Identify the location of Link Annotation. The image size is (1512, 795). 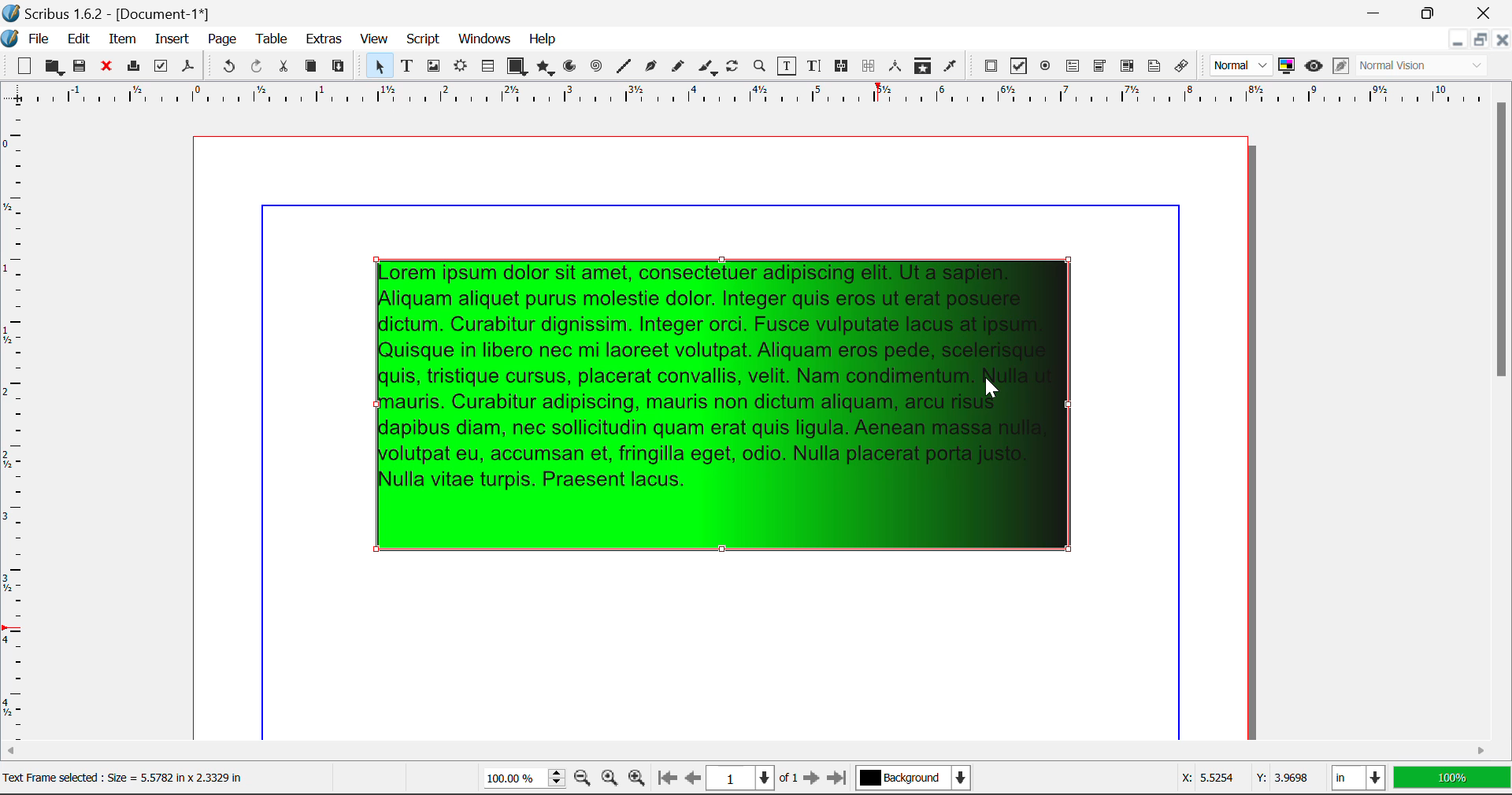
(1185, 67).